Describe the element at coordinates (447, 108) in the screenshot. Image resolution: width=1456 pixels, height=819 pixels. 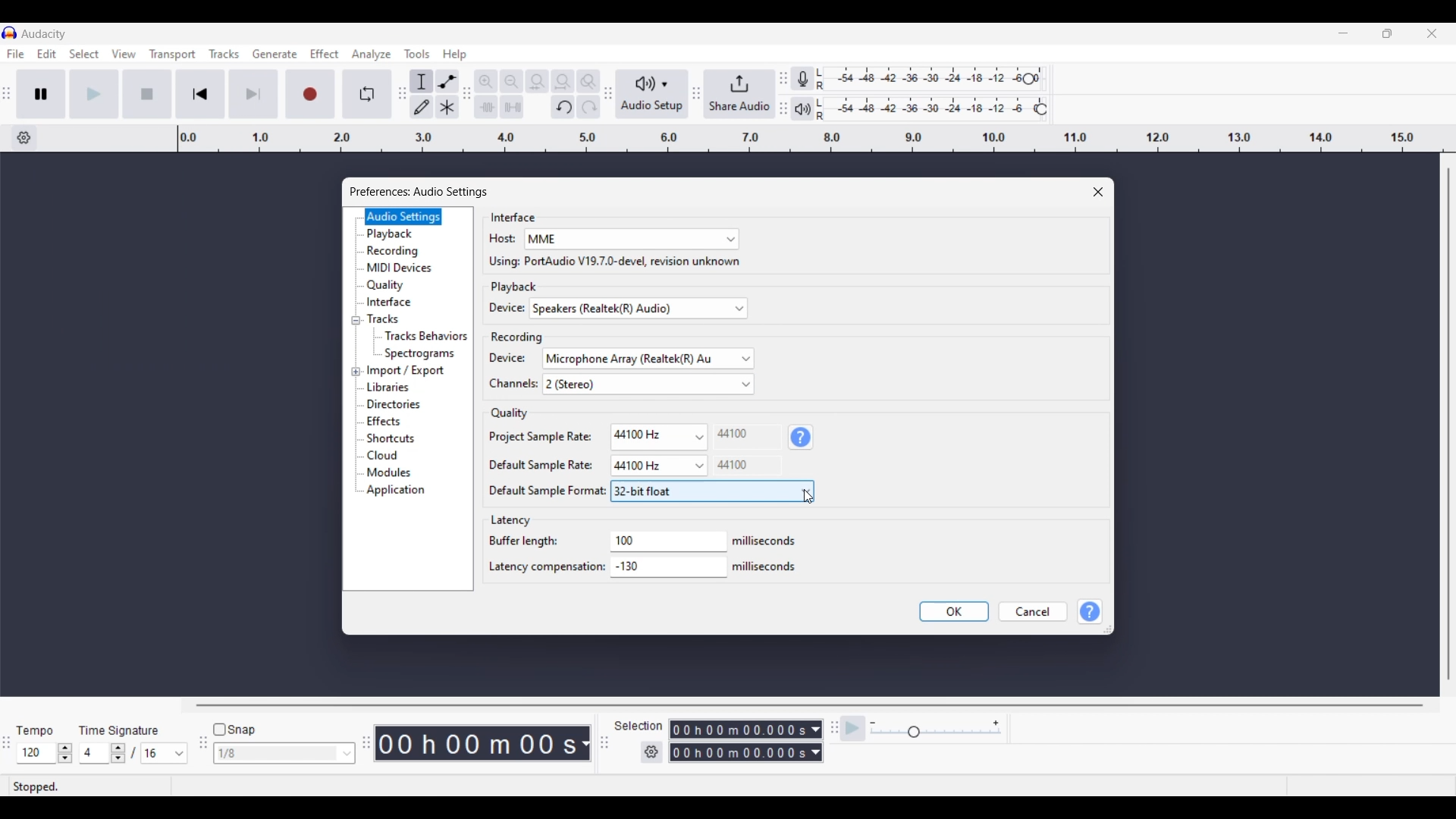
I see `Multitool` at that location.